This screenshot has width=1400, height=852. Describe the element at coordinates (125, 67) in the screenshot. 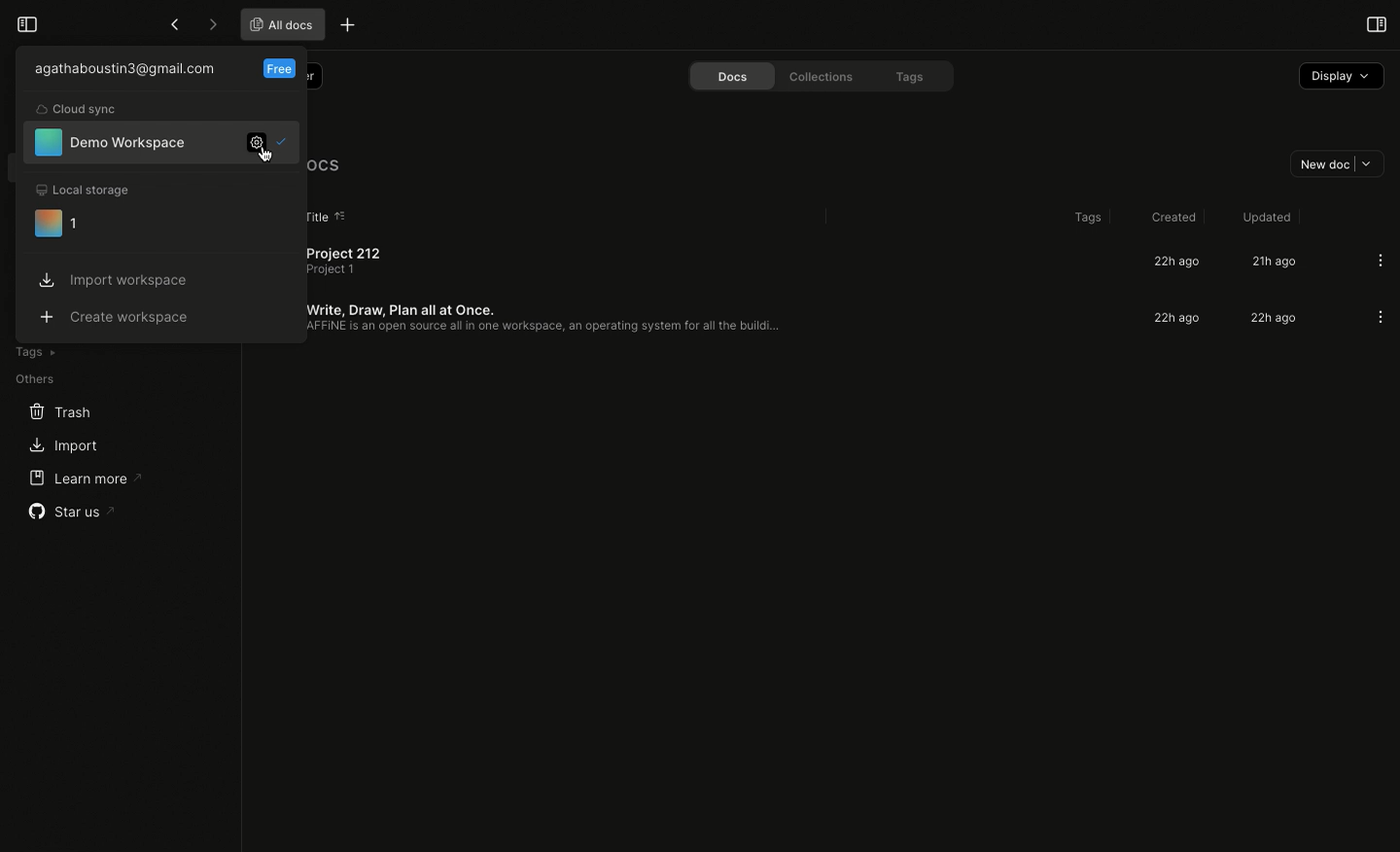

I see `agathaboustin3@gmail.com` at that location.